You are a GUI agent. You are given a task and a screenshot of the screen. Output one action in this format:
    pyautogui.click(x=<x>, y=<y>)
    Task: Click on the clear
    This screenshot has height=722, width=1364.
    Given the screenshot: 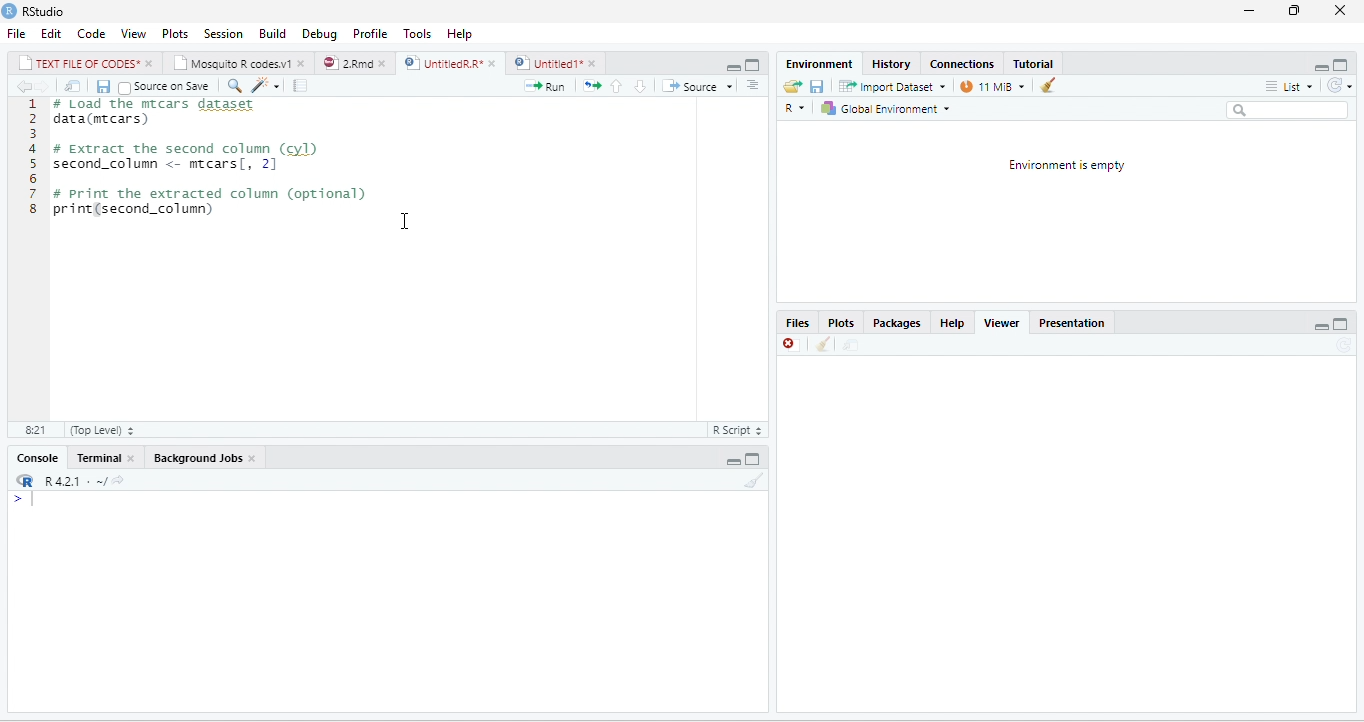 What is the action you would take?
    pyautogui.click(x=1047, y=85)
    